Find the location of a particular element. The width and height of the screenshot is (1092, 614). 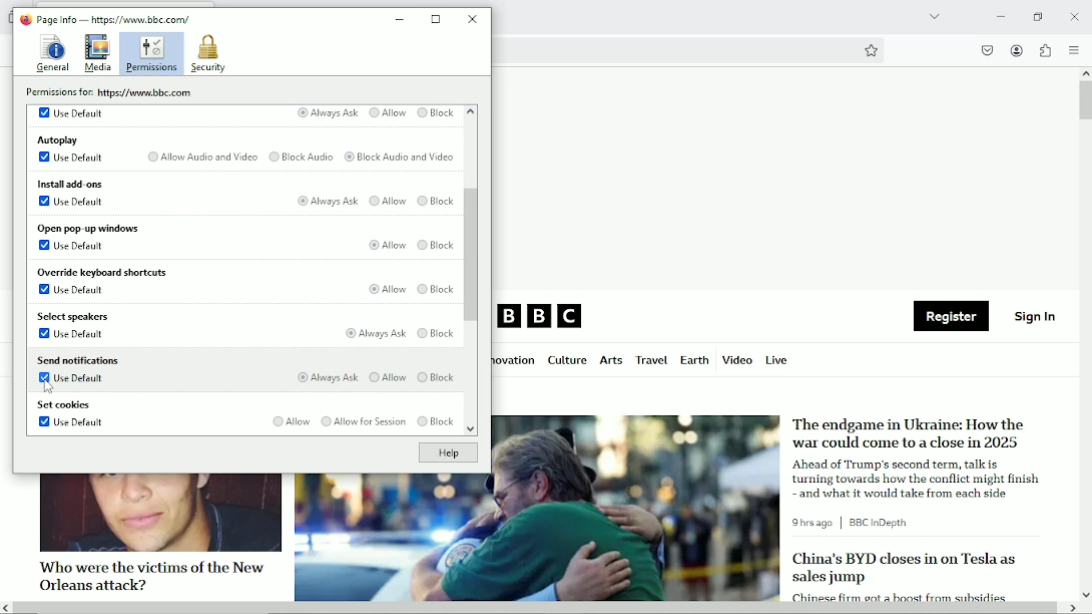

Allow for session is located at coordinates (362, 422).